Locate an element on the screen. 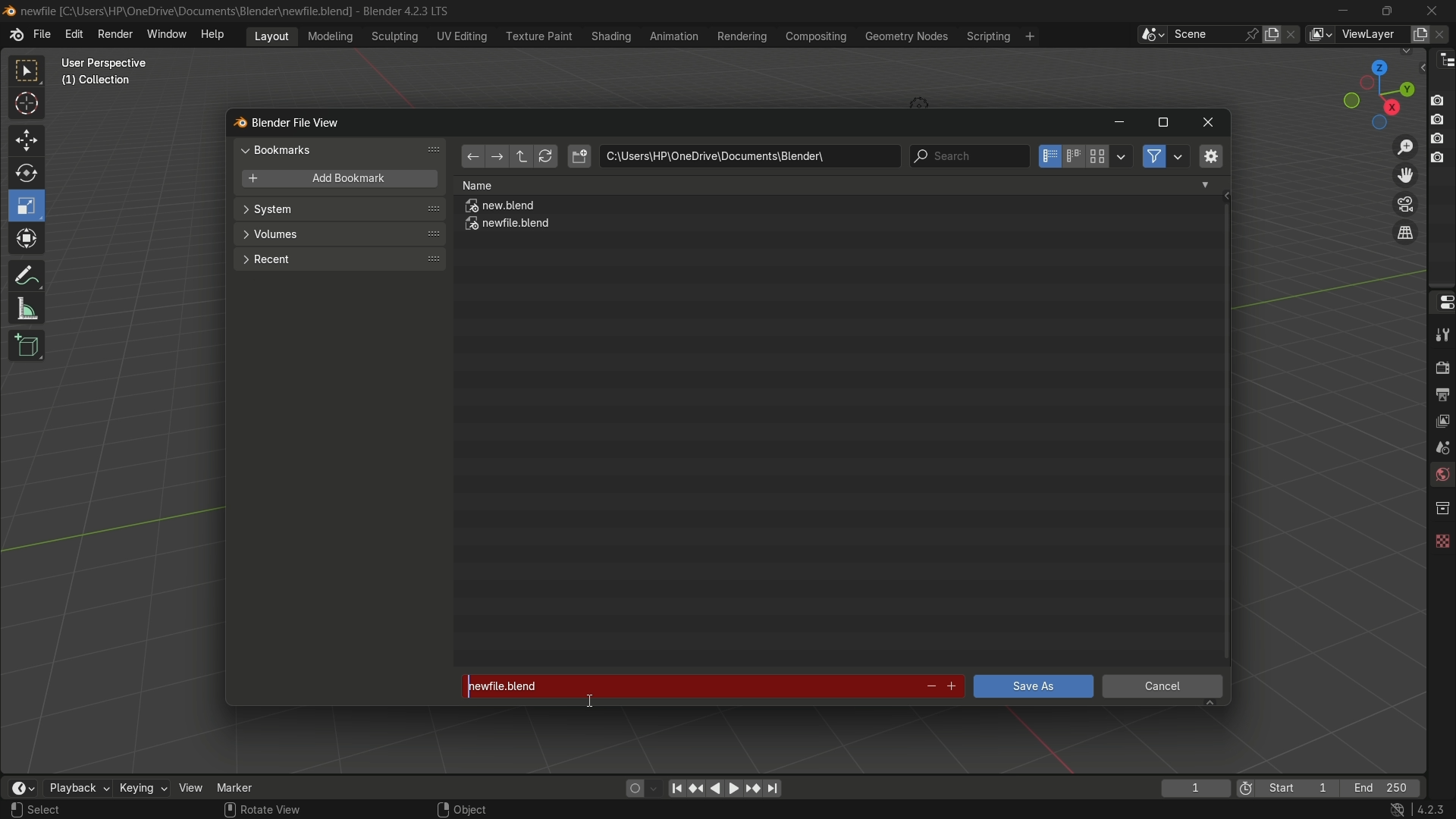  texture is located at coordinates (1441, 538).